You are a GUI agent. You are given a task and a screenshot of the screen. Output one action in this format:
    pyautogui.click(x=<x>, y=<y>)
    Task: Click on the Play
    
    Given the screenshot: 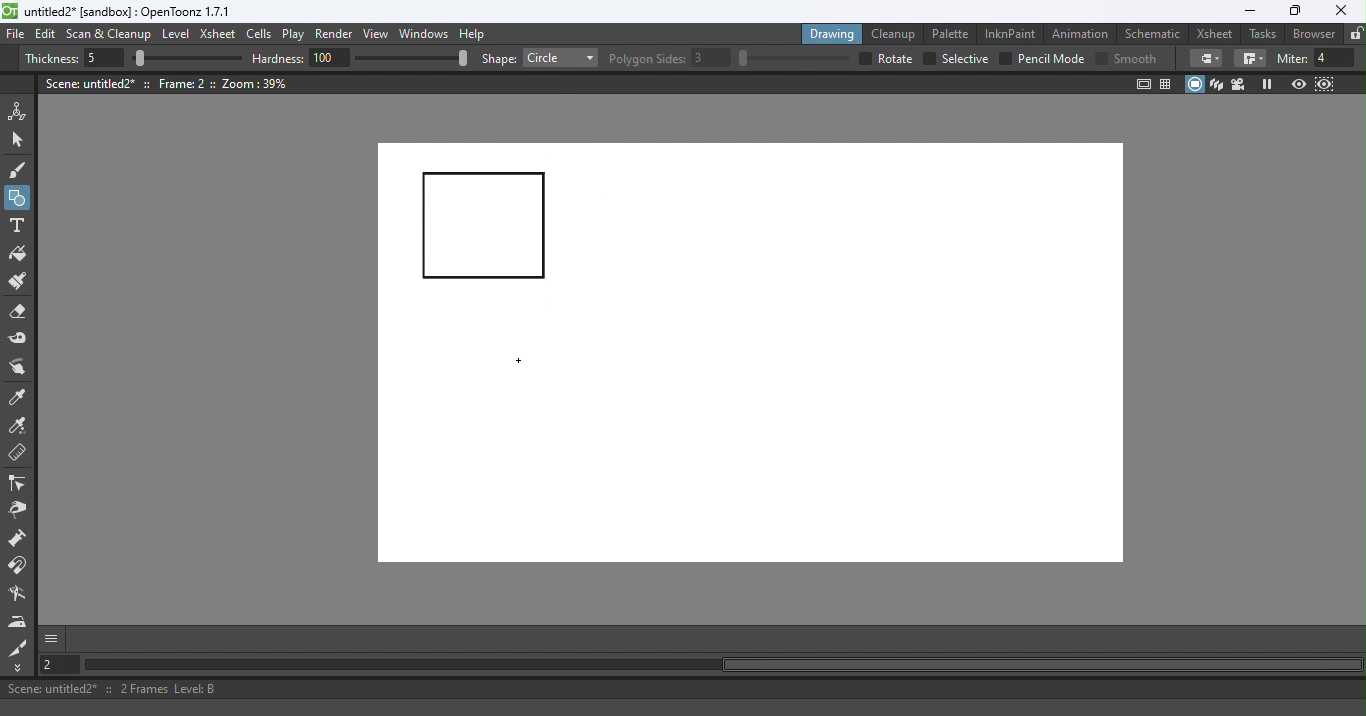 What is the action you would take?
    pyautogui.click(x=297, y=35)
    